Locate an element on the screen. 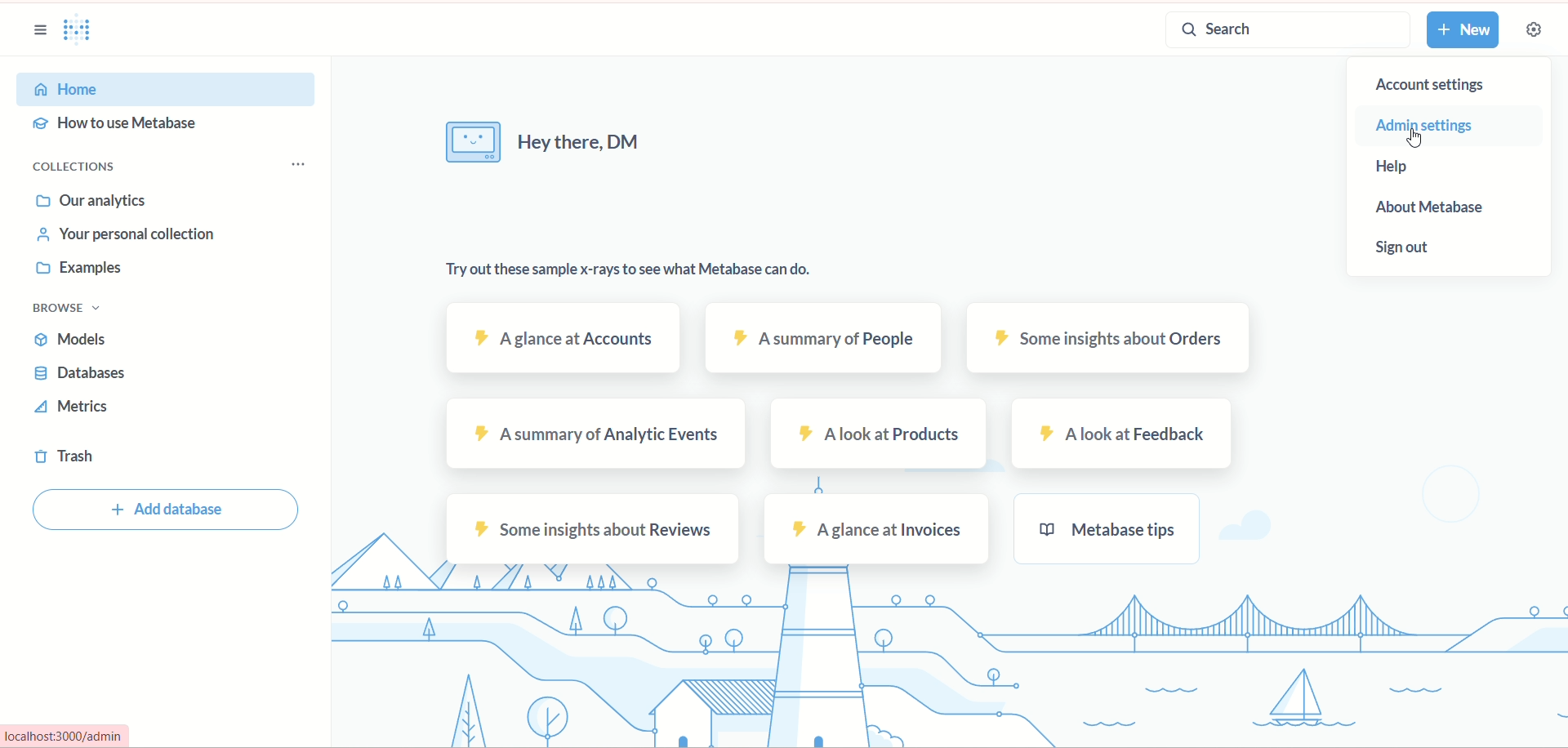 This screenshot has height=748, width=1568. Cursor is located at coordinates (1411, 139).